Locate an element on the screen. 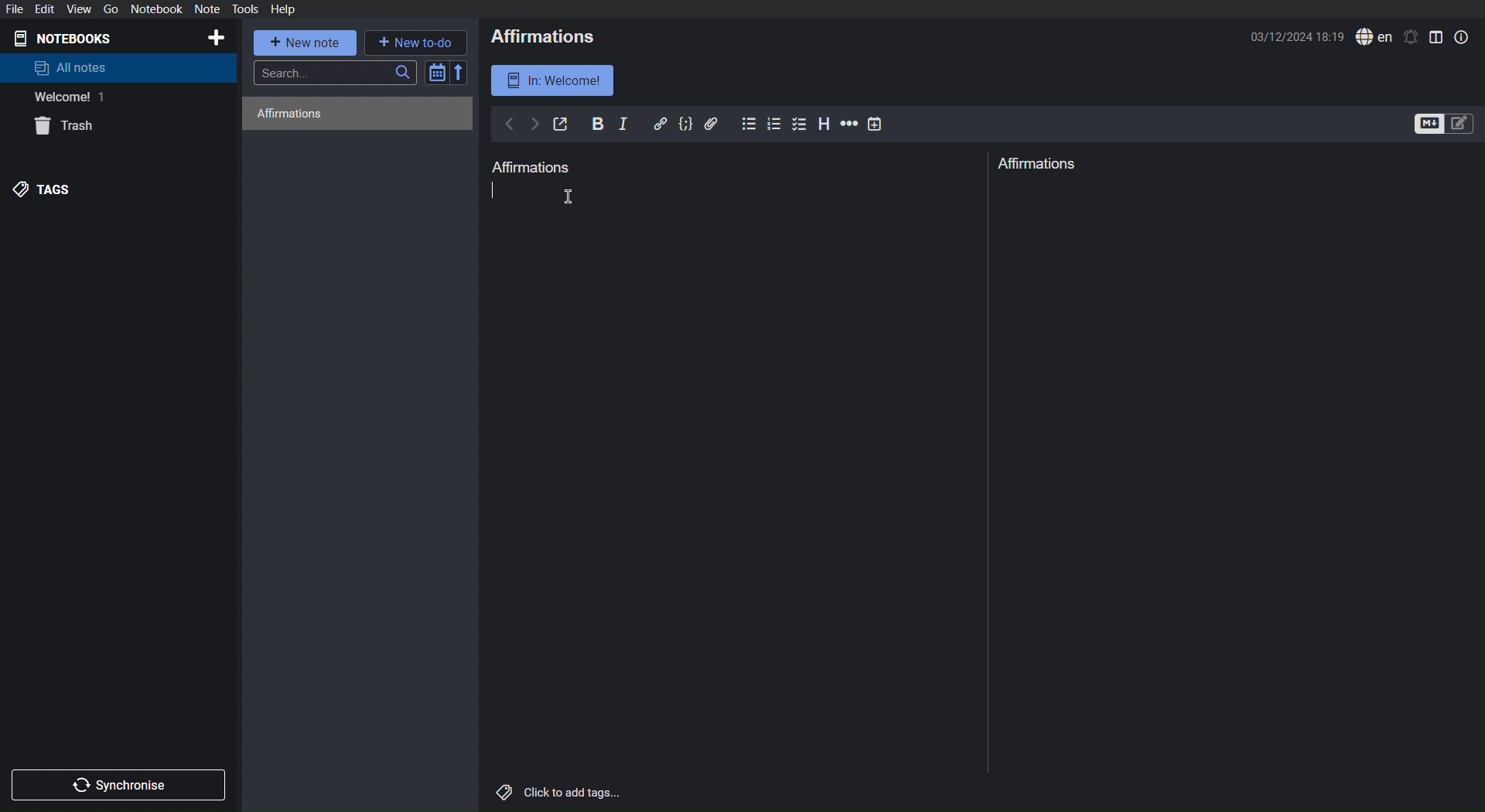  New note is located at coordinates (306, 43).